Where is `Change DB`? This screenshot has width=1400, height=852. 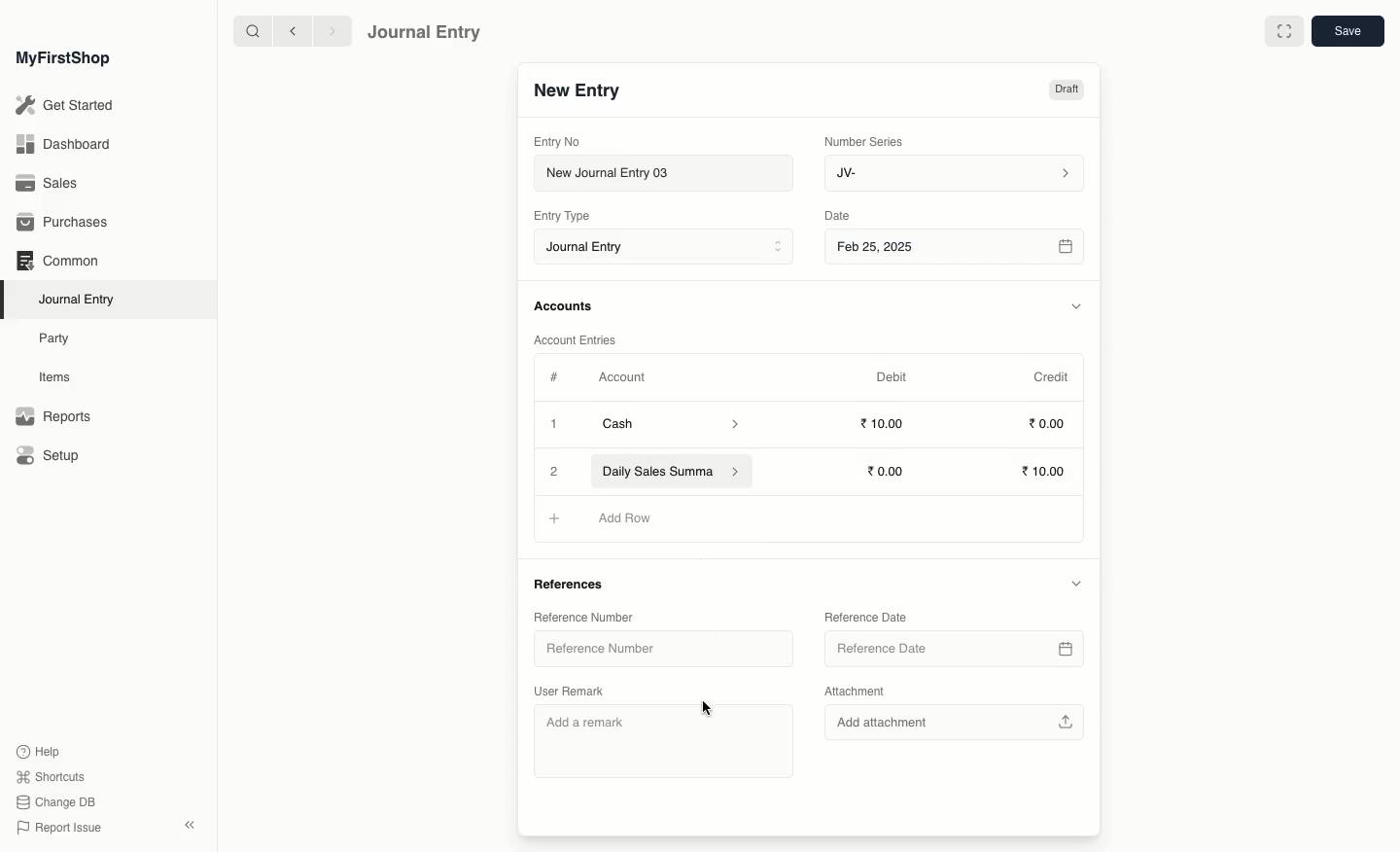 Change DB is located at coordinates (56, 803).